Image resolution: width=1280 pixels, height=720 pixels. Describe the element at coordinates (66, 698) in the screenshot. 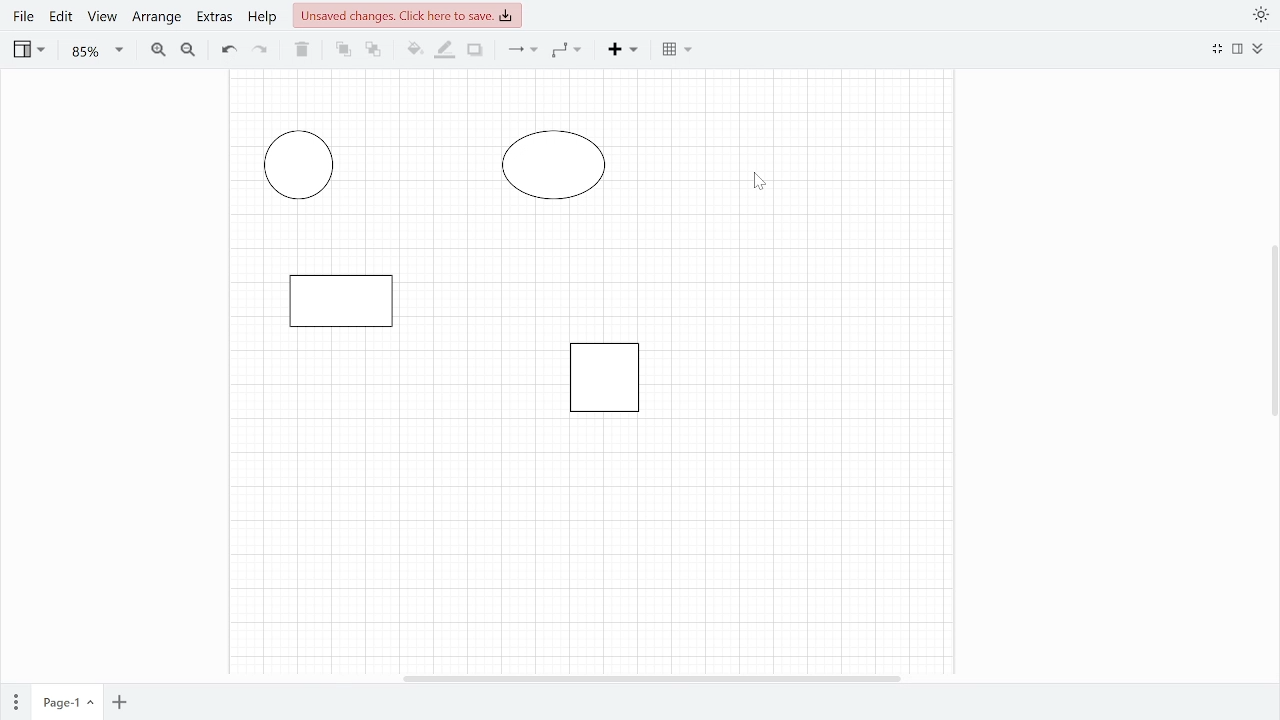

I see `Current page(page 1)` at that location.